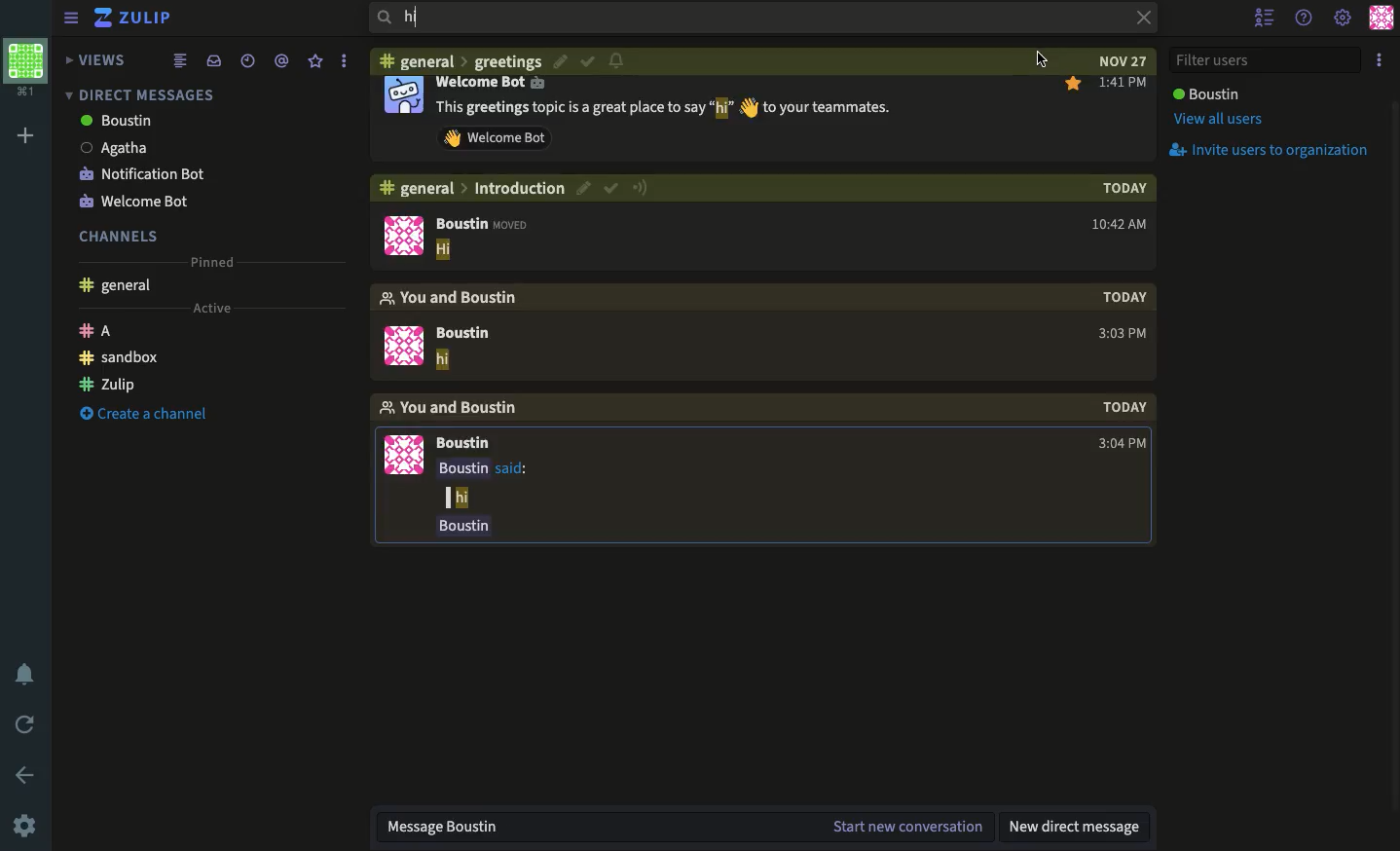 The height and width of the screenshot is (851, 1400). What do you see at coordinates (245, 60) in the screenshot?
I see `Time` at bounding box center [245, 60].